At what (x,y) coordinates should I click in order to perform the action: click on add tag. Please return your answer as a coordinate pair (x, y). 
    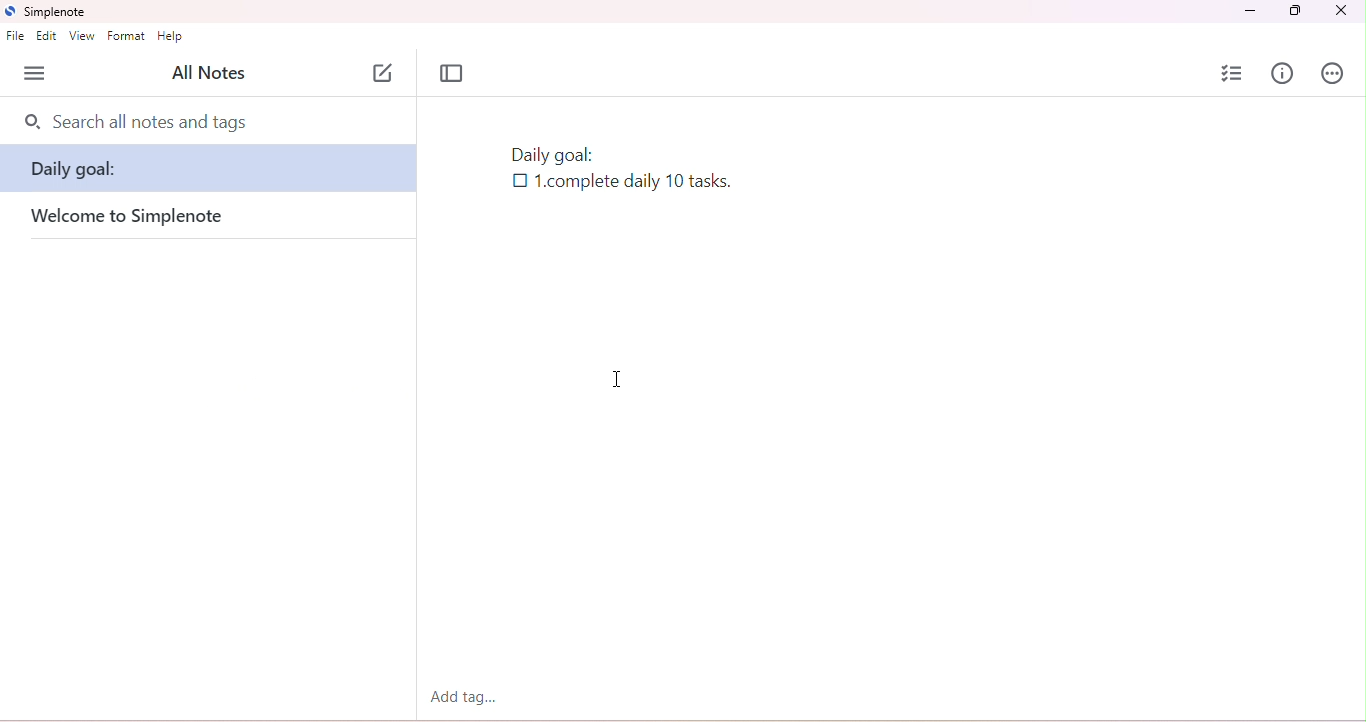
    Looking at the image, I should click on (459, 695).